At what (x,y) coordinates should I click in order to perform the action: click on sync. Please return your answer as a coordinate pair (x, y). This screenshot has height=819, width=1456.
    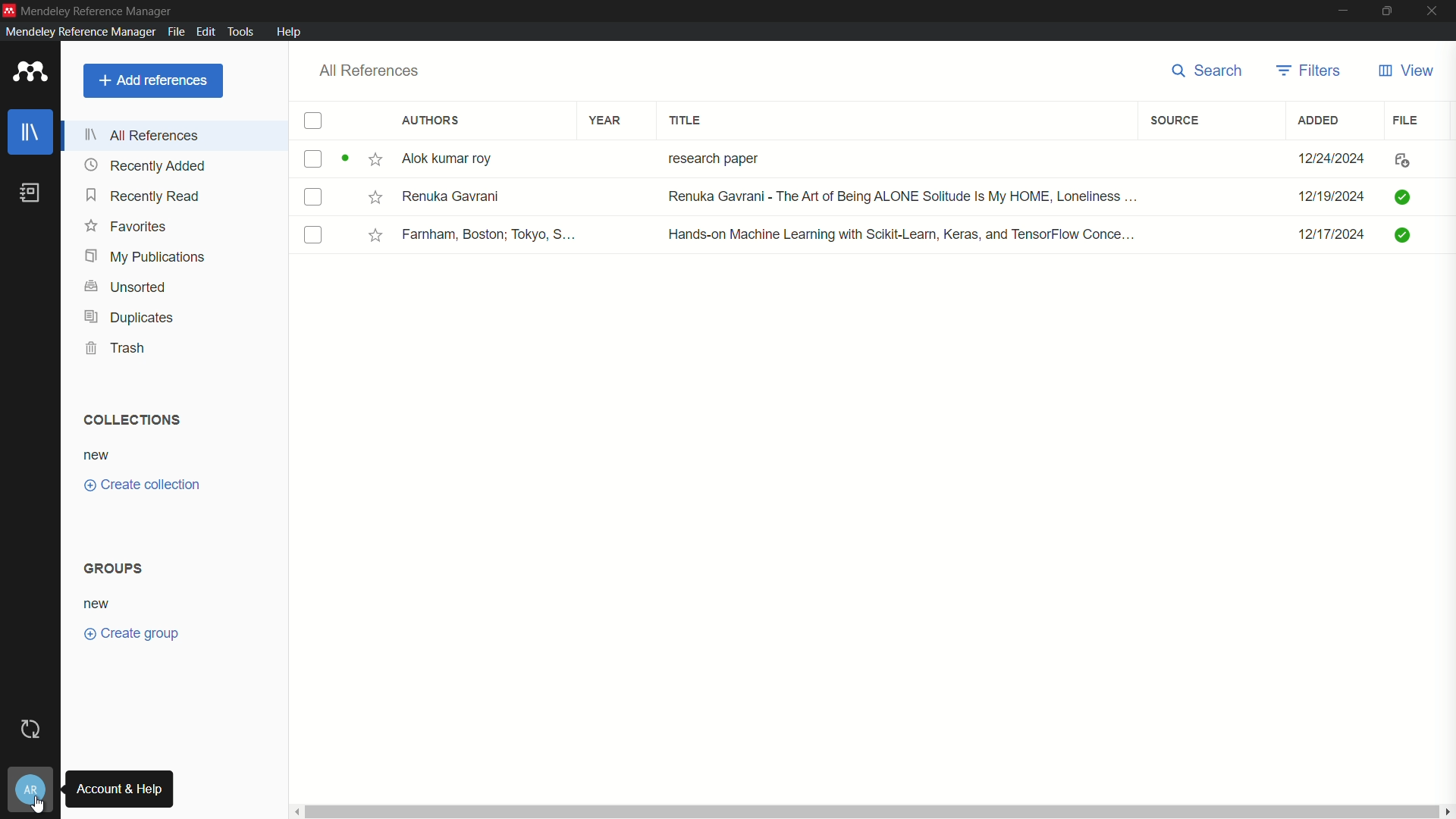
    Looking at the image, I should click on (31, 730).